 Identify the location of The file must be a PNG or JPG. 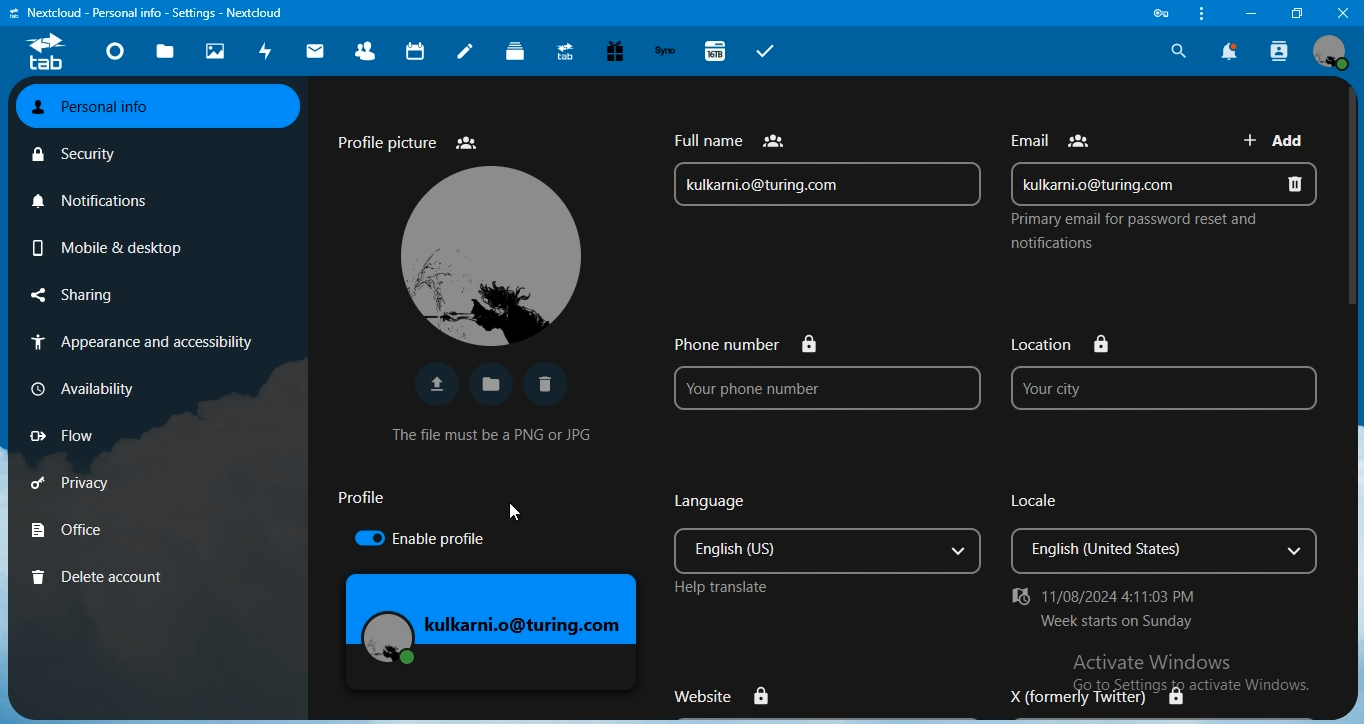
(495, 432).